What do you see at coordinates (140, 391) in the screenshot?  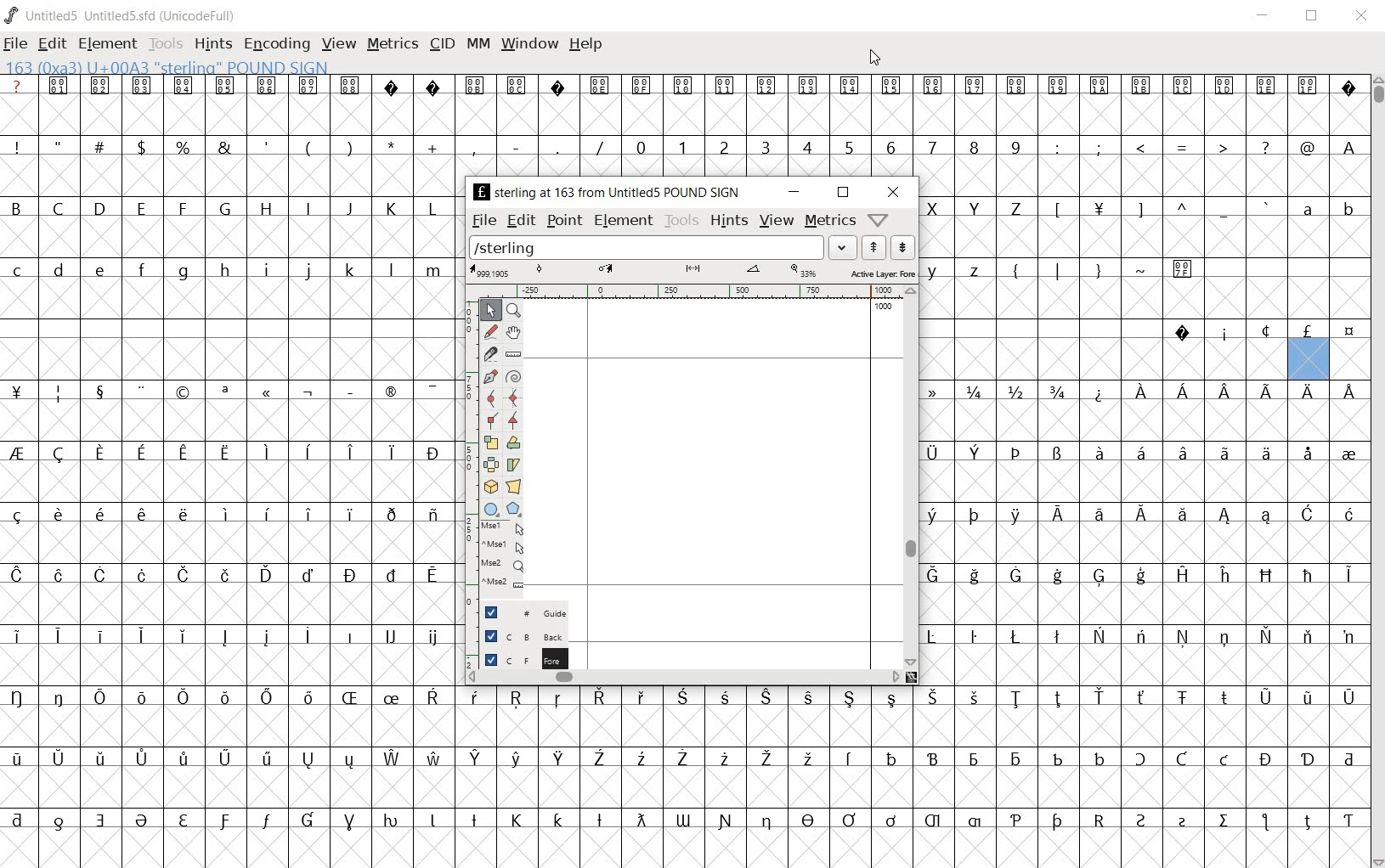 I see `Symbol` at bounding box center [140, 391].